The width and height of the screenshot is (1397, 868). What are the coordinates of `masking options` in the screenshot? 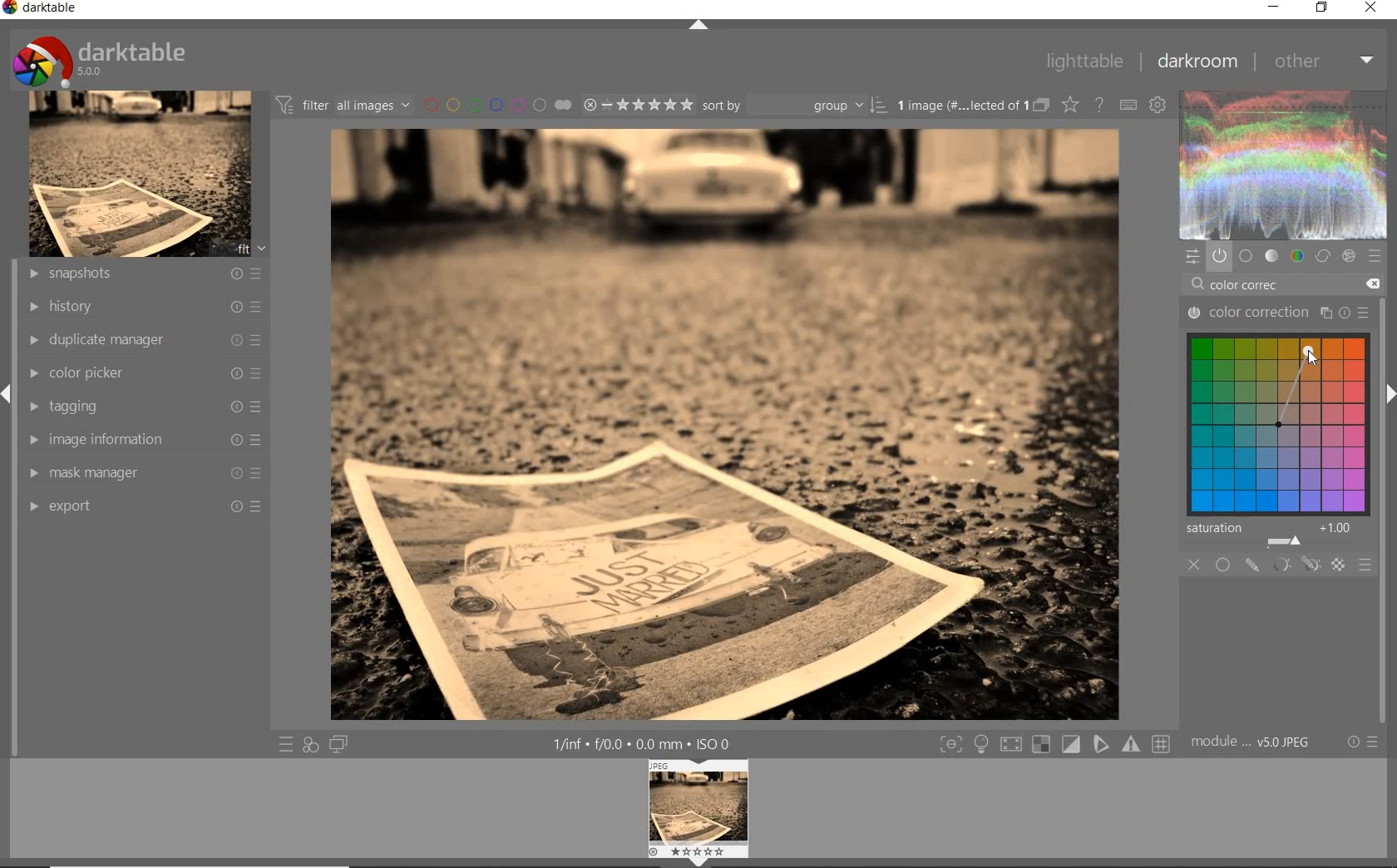 It's located at (1293, 565).